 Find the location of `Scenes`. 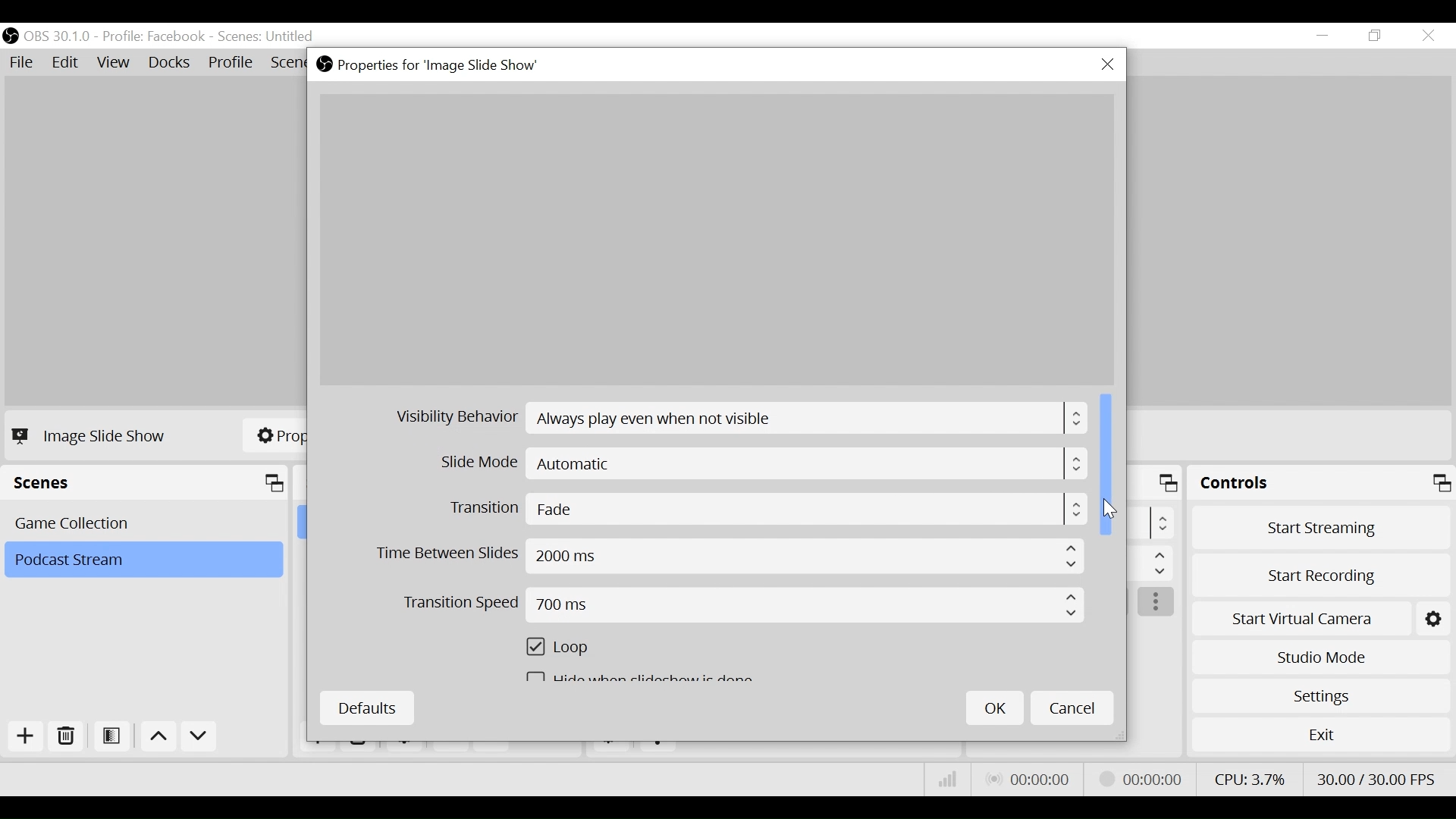

Scenes is located at coordinates (149, 483).